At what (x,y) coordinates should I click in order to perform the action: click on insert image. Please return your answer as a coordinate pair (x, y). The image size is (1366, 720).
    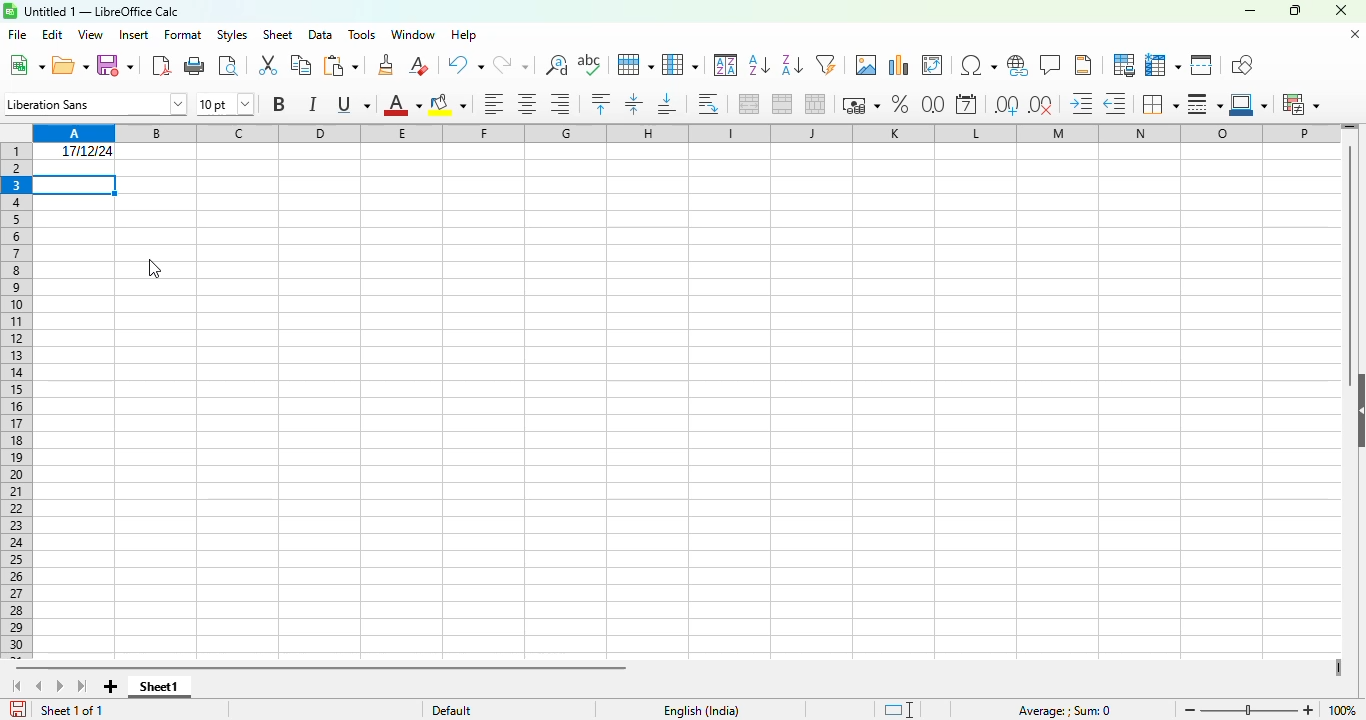
    Looking at the image, I should click on (867, 64).